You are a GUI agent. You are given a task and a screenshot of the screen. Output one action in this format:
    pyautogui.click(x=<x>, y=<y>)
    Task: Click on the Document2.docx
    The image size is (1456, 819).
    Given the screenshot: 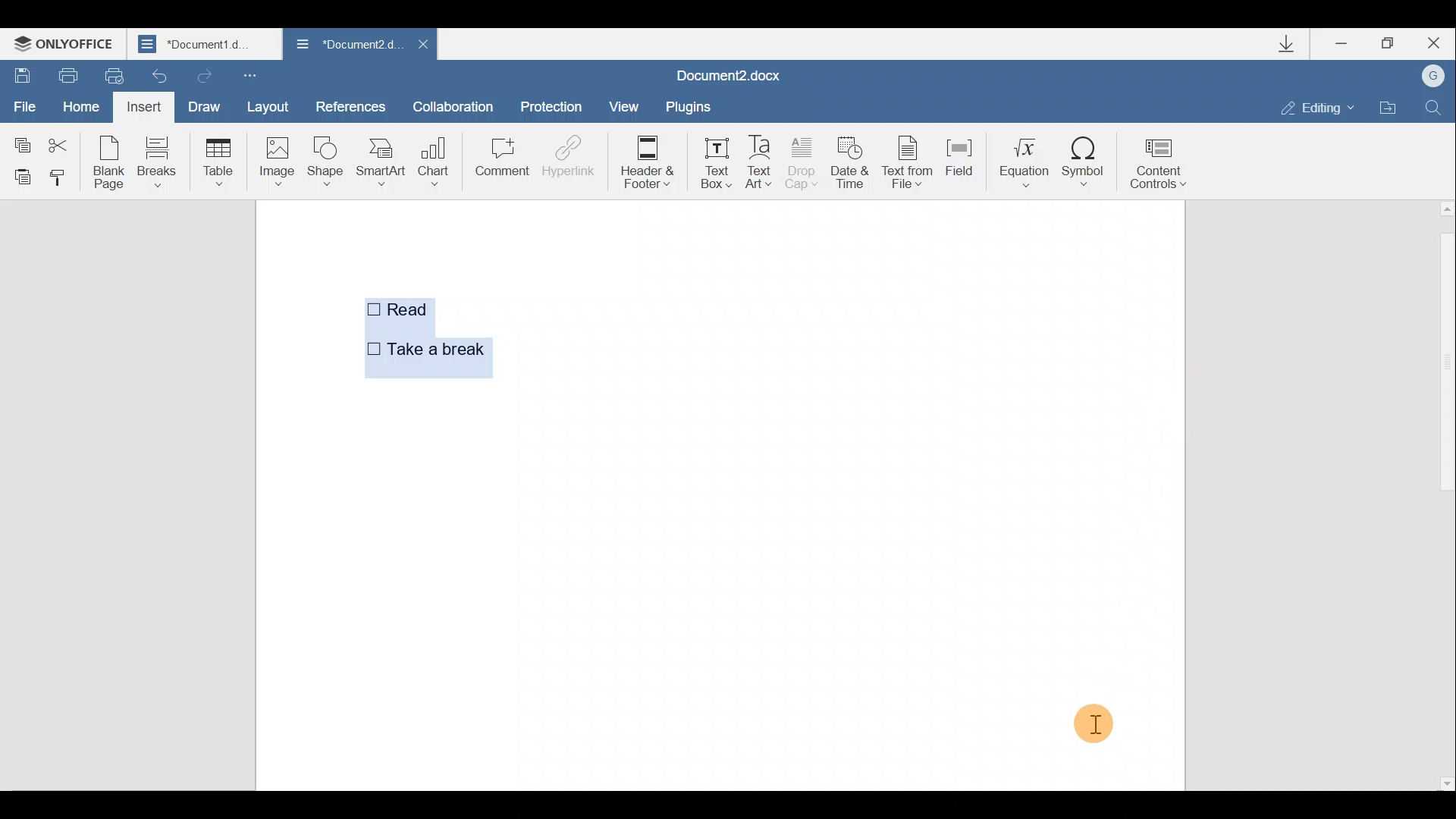 What is the action you would take?
    pyautogui.click(x=729, y=75)
    